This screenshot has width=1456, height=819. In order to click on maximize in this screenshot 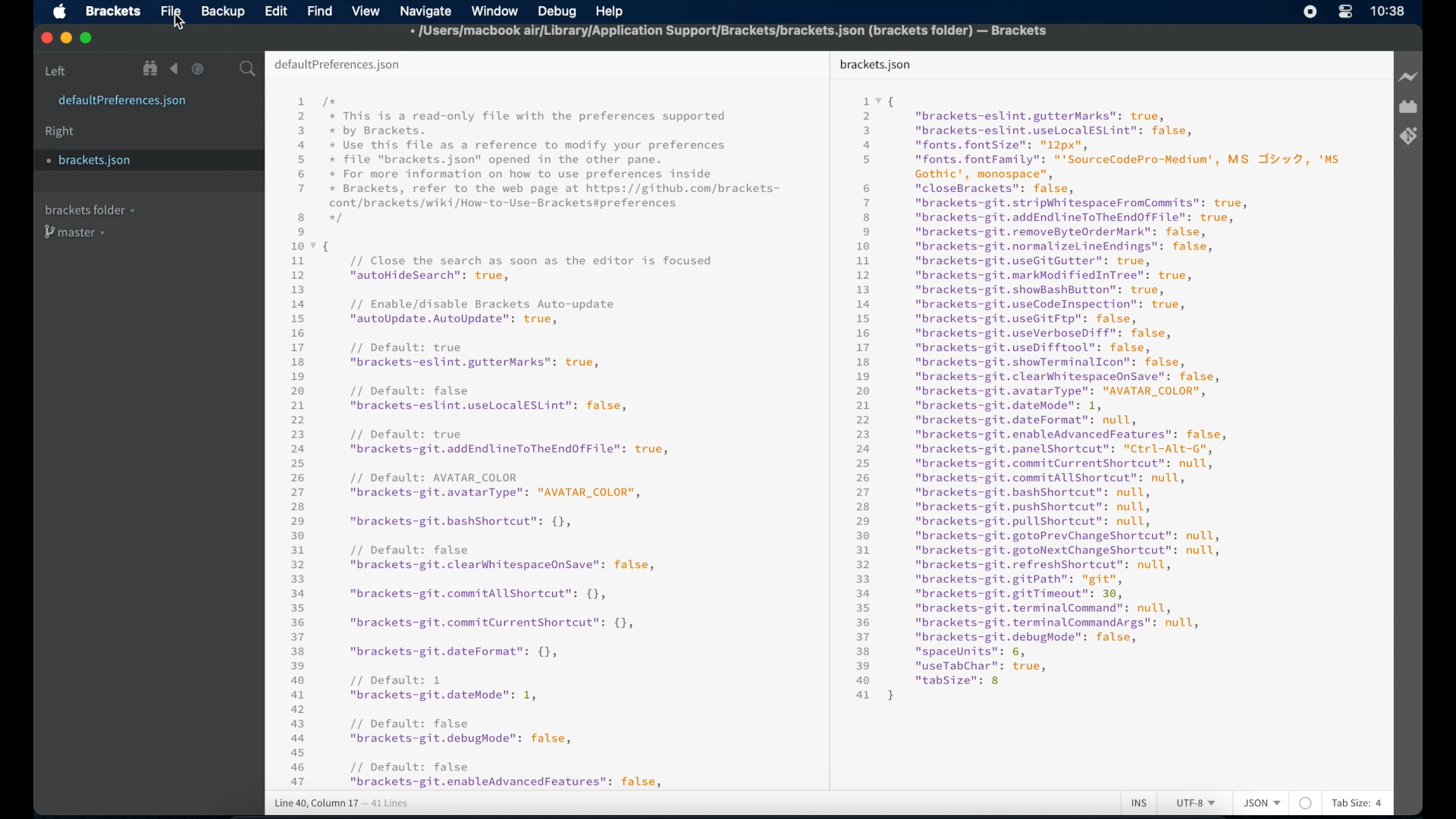, I will do `click(87, 39)`.